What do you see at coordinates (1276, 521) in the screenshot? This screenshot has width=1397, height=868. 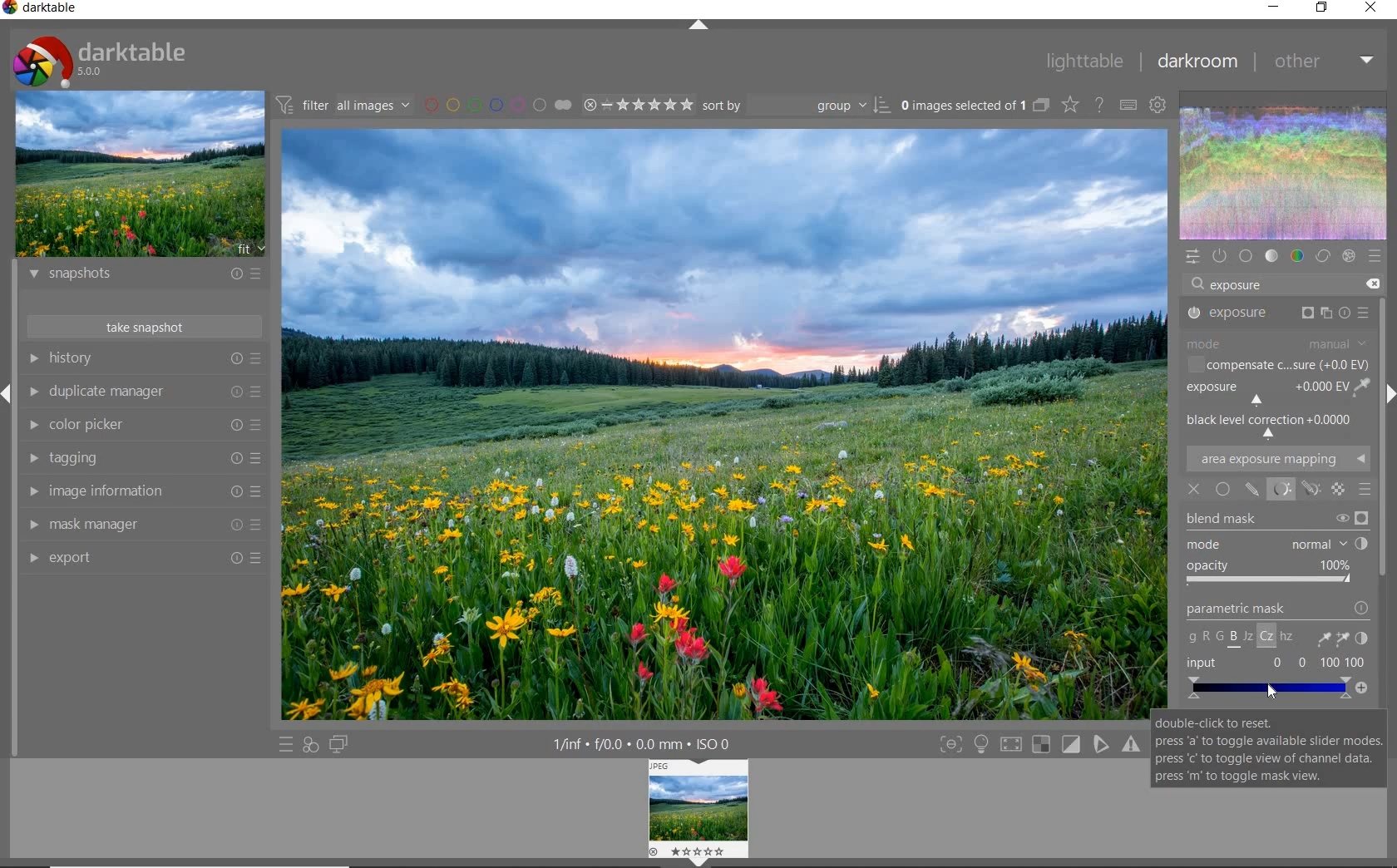 I see `blend mask` at bounding box center [1276, 521].